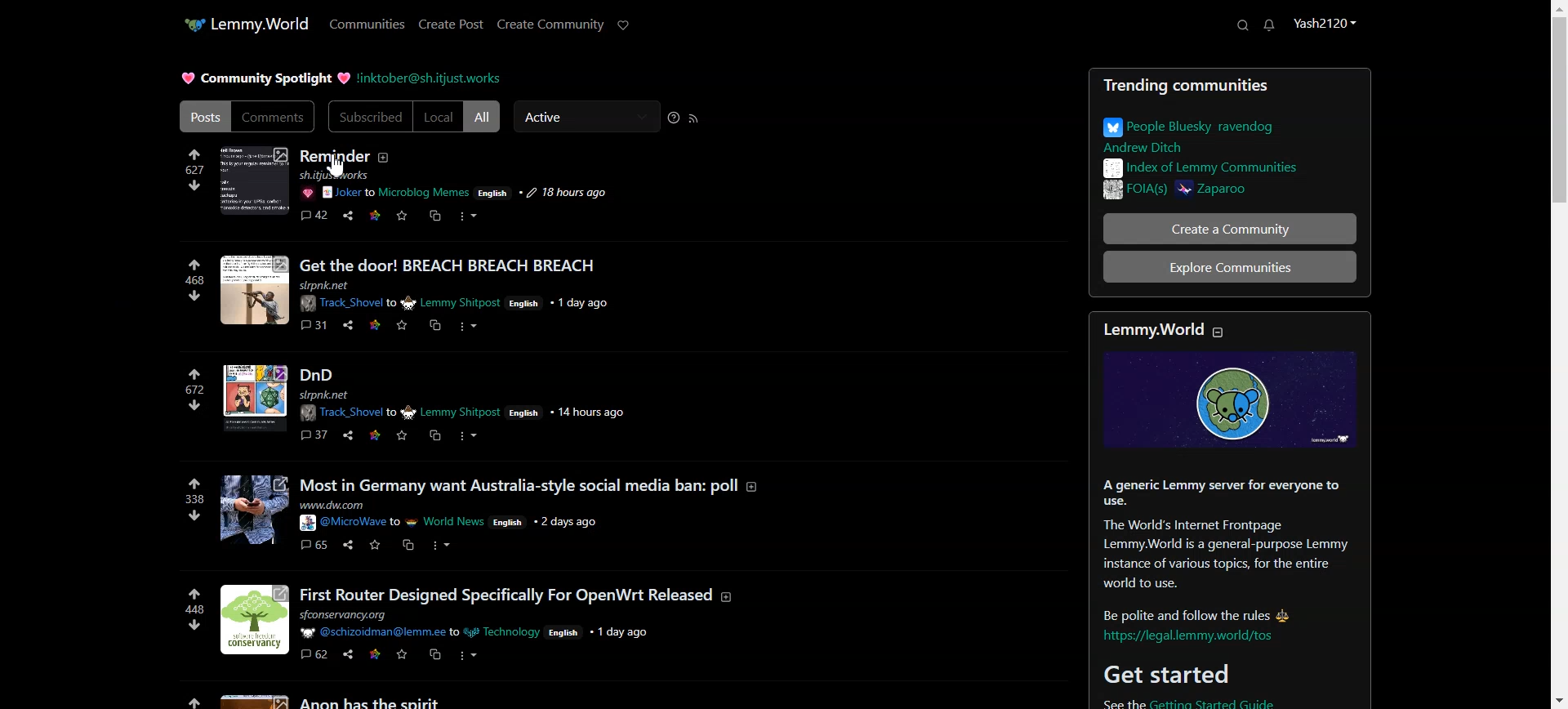 The image size is (1568, 709). Describe the element at coordinates (1228, 137) in the screenshot. I see `Post` at that location.